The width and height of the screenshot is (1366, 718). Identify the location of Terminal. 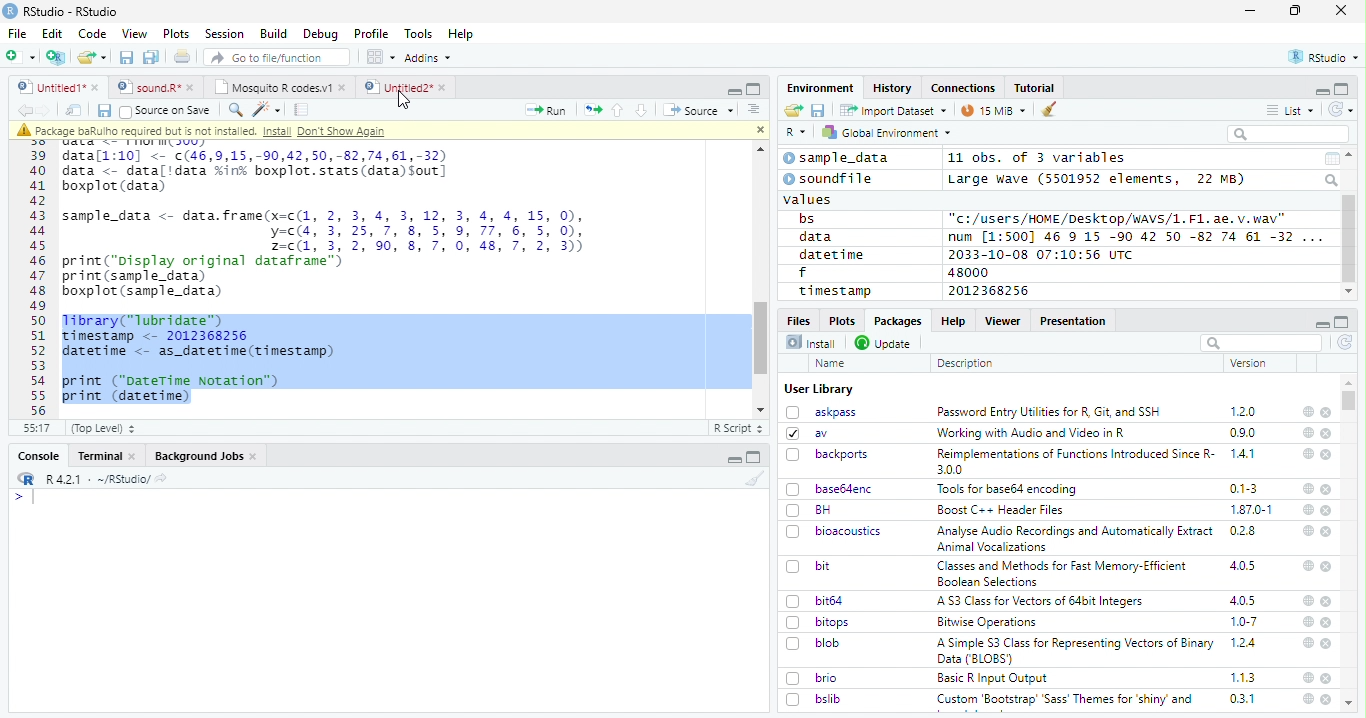
(106, 456).